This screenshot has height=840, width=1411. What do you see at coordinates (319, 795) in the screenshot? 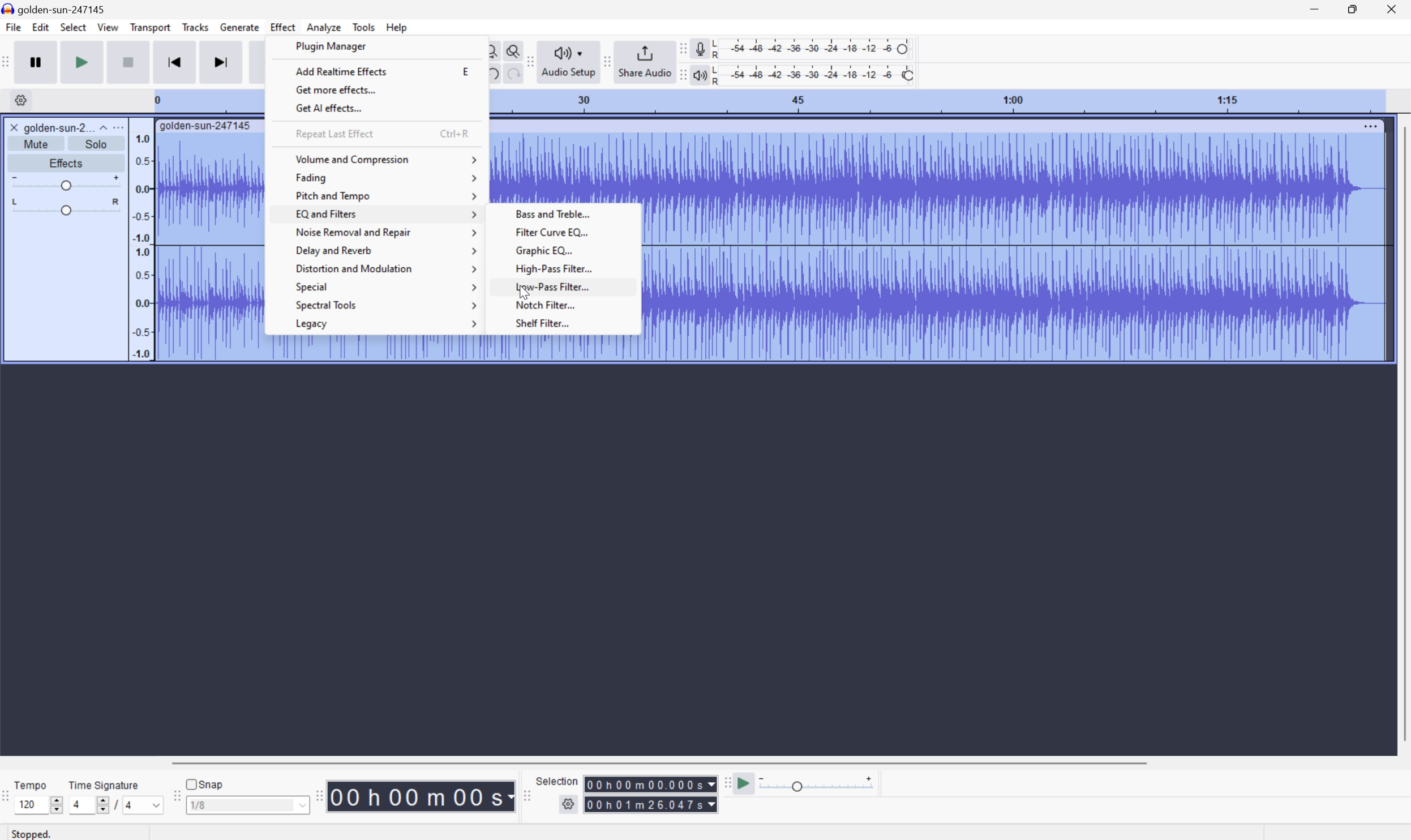
I see `Audacity toolbar` at bounding box center [319, 795].